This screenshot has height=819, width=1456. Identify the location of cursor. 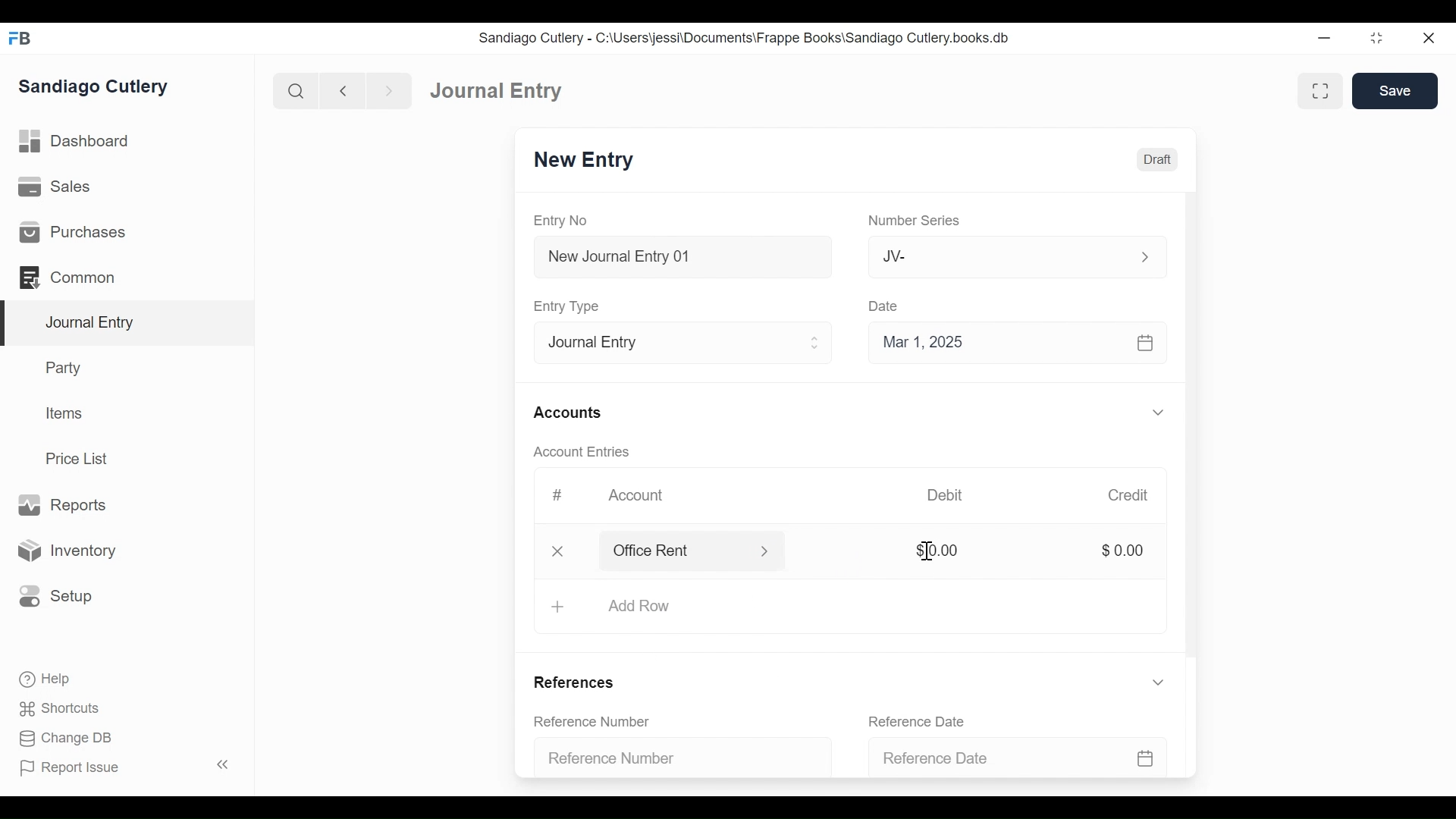
(609, 551).